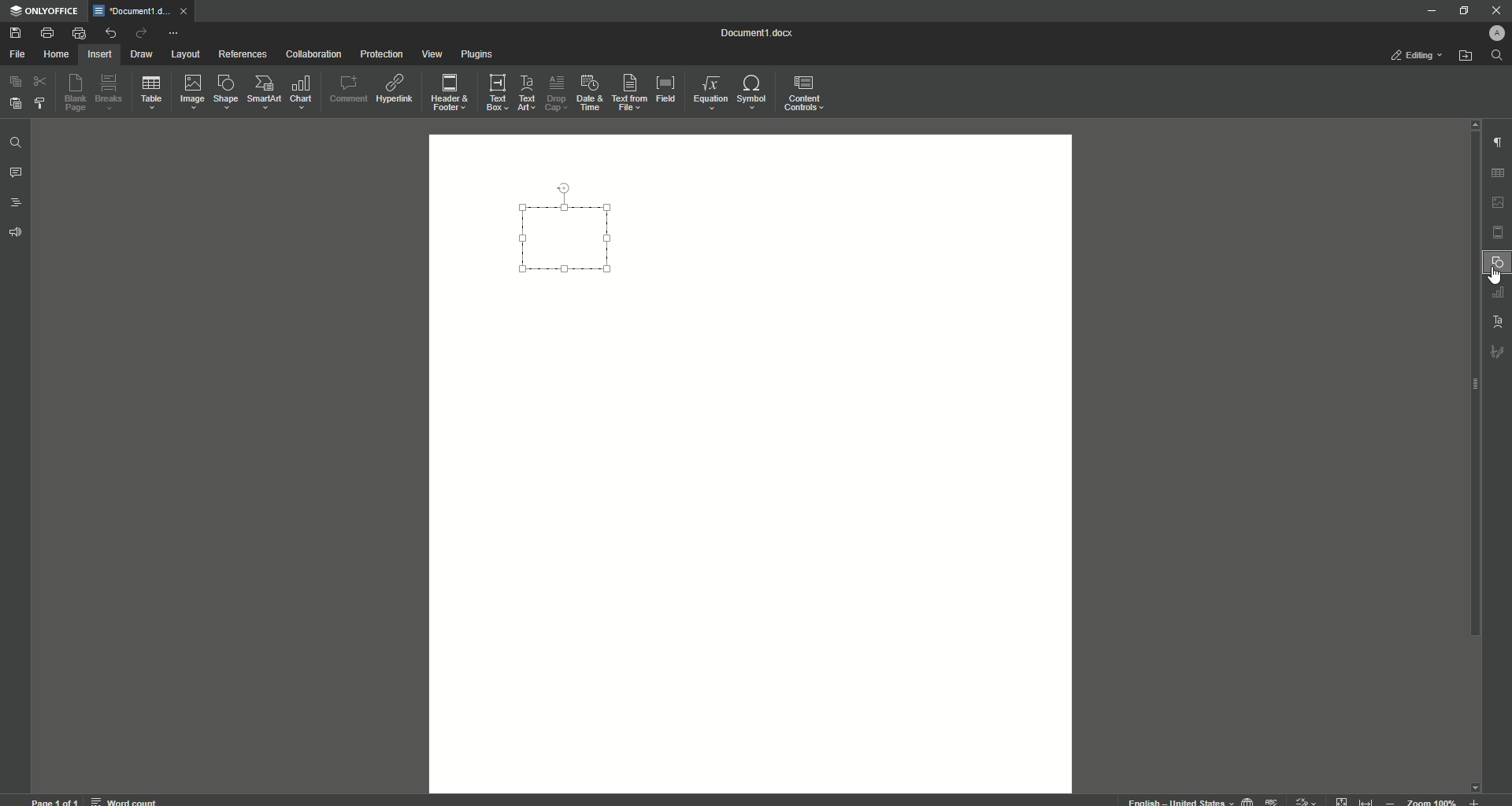 The width and height of the screenshot is (1512, 806). Describe the element at coordinates (46, 33) in the screenshot. I see `Print` at that location.